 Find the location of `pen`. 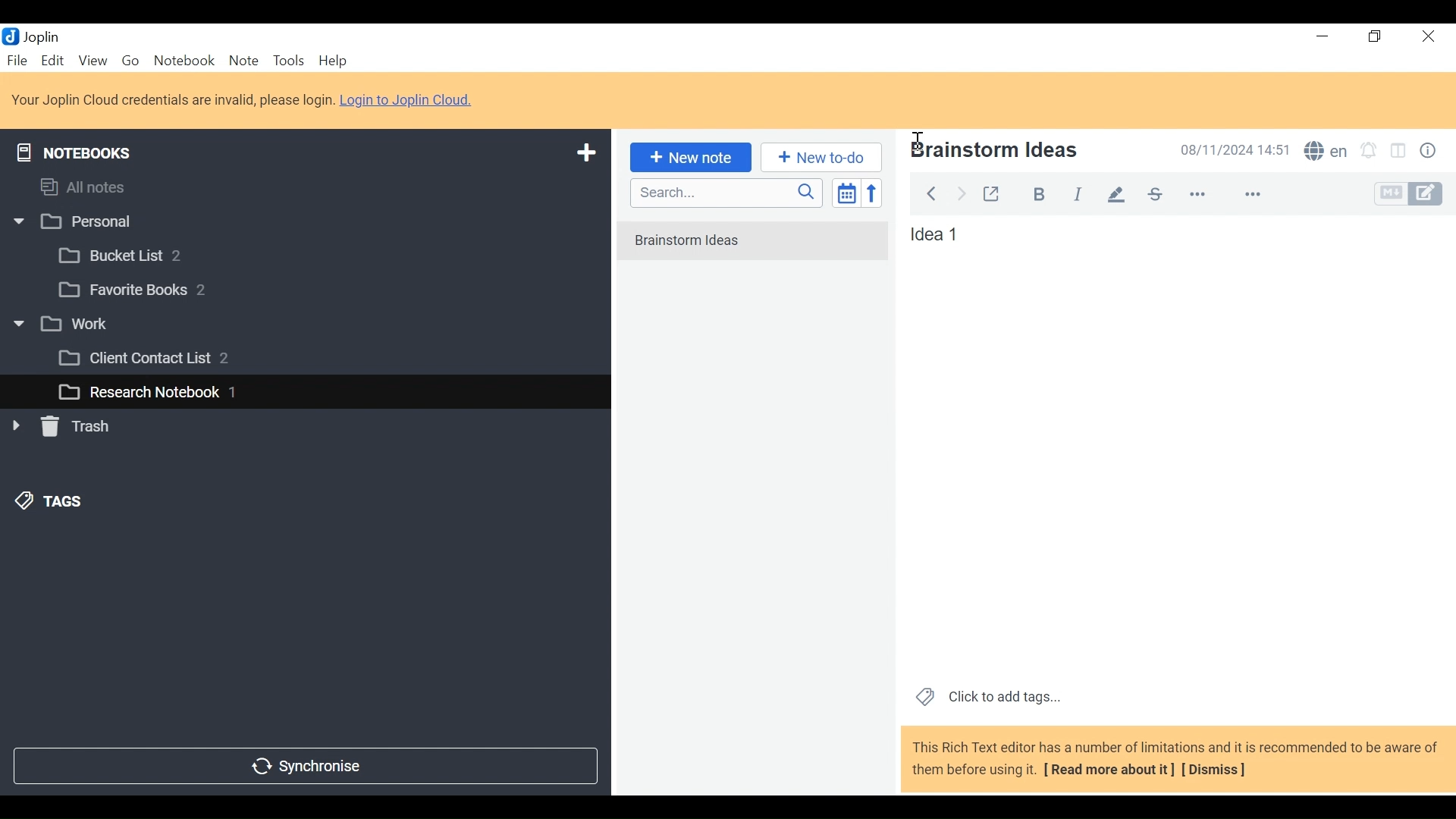

pen is located at coordinates (1116, 193).